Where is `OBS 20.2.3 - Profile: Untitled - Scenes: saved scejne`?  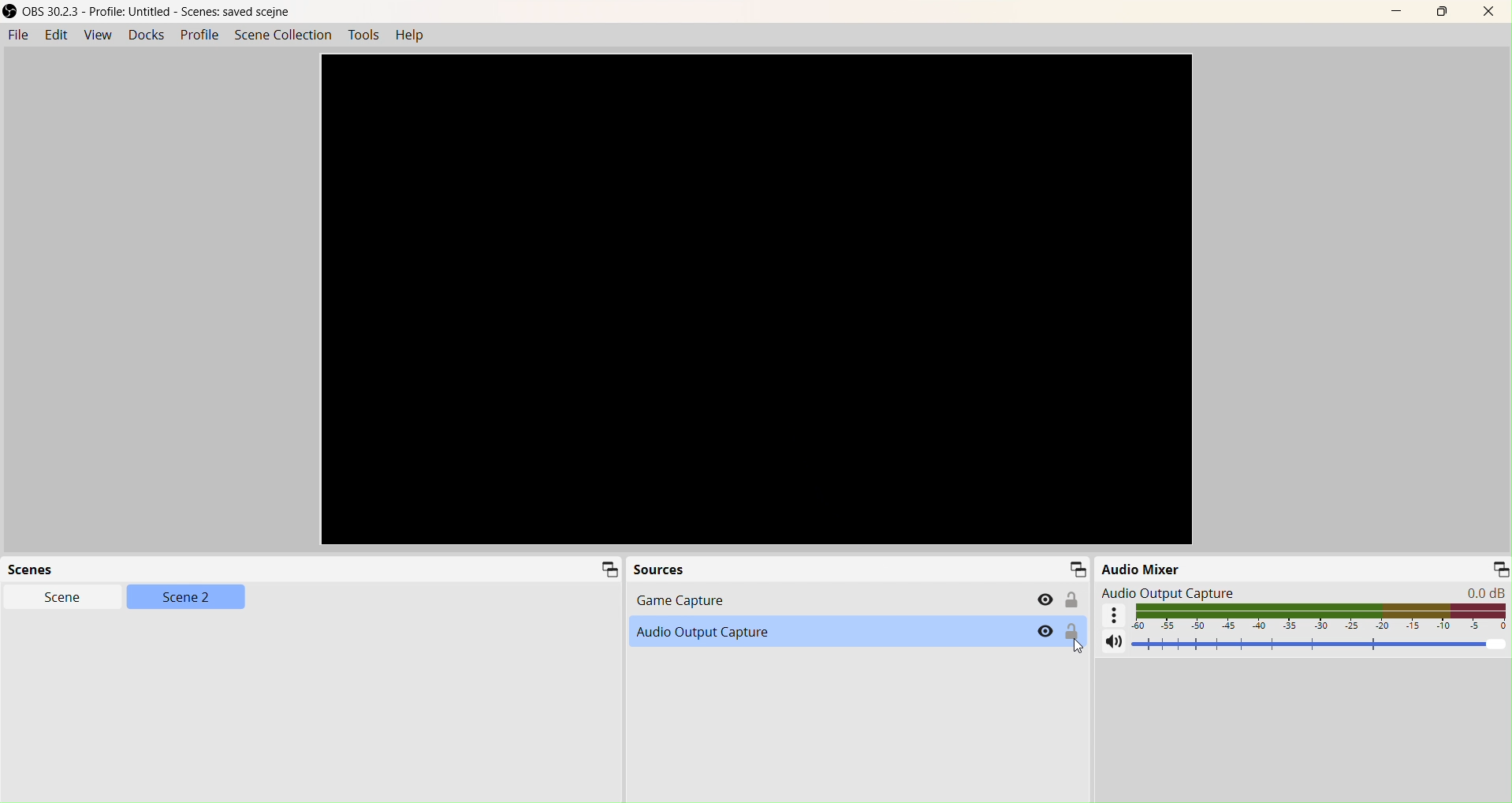
OBS 20.2.3 - Profile: Untitled - Scenes: saved scejne is located at coordinates (150, 9).